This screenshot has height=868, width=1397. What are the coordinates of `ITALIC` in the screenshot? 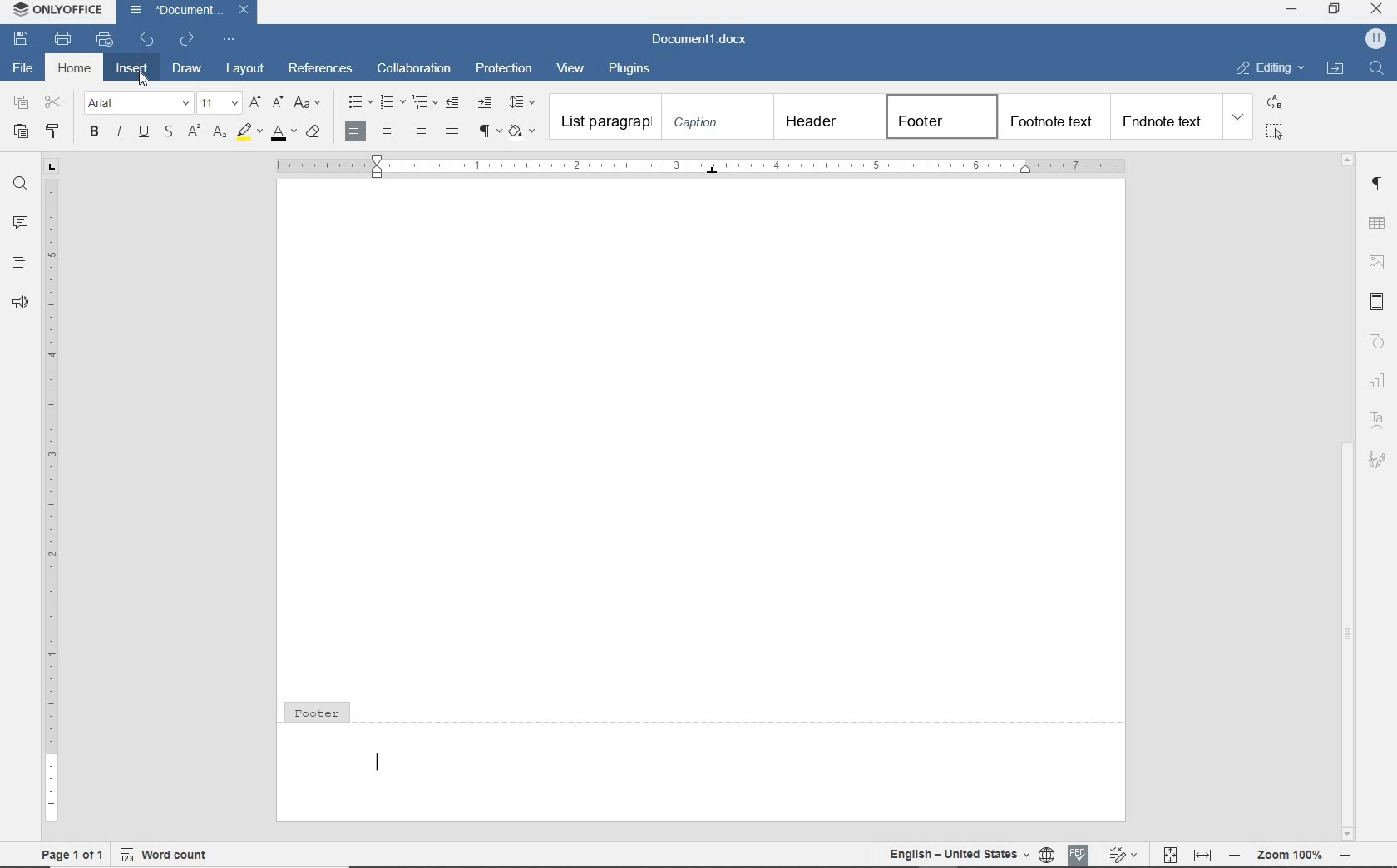 It's located at (119, 131).